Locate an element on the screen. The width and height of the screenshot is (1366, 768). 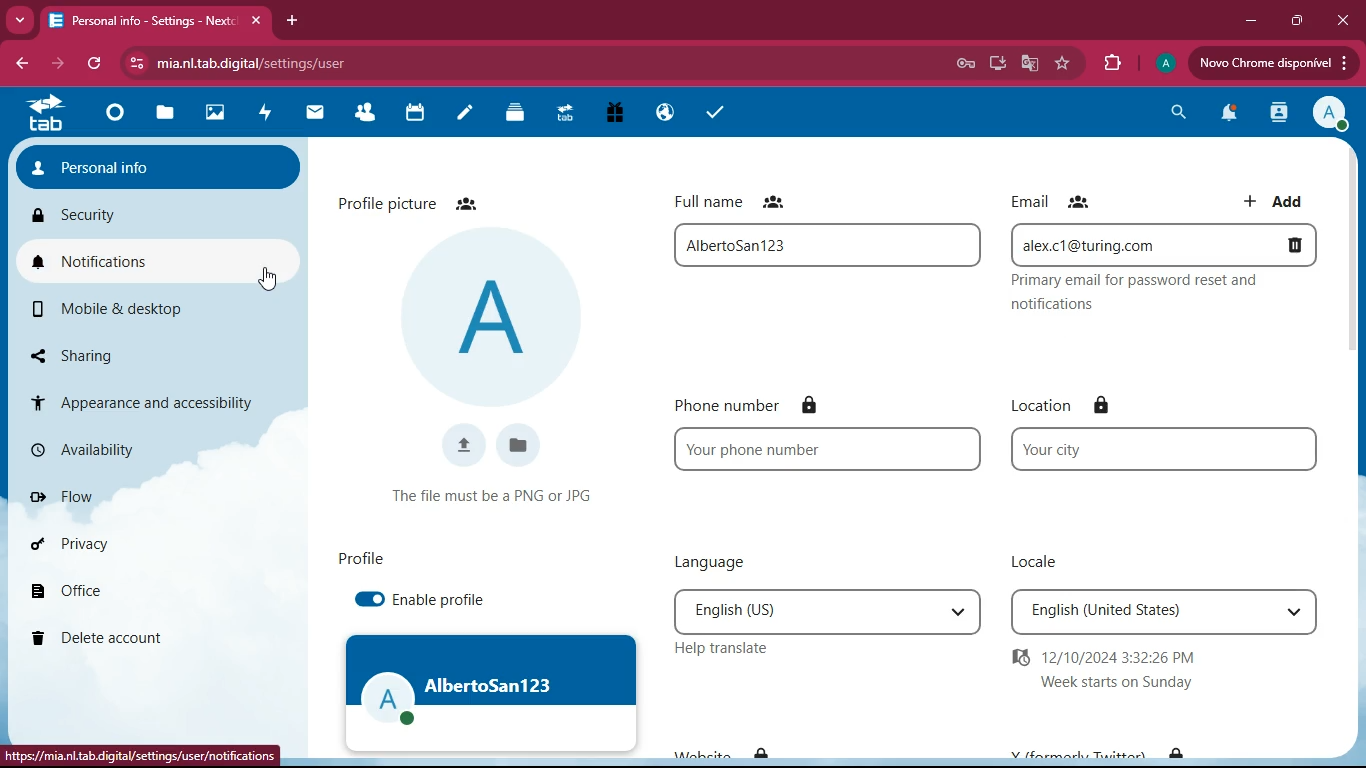
forward is located at coordinates (50, 64).